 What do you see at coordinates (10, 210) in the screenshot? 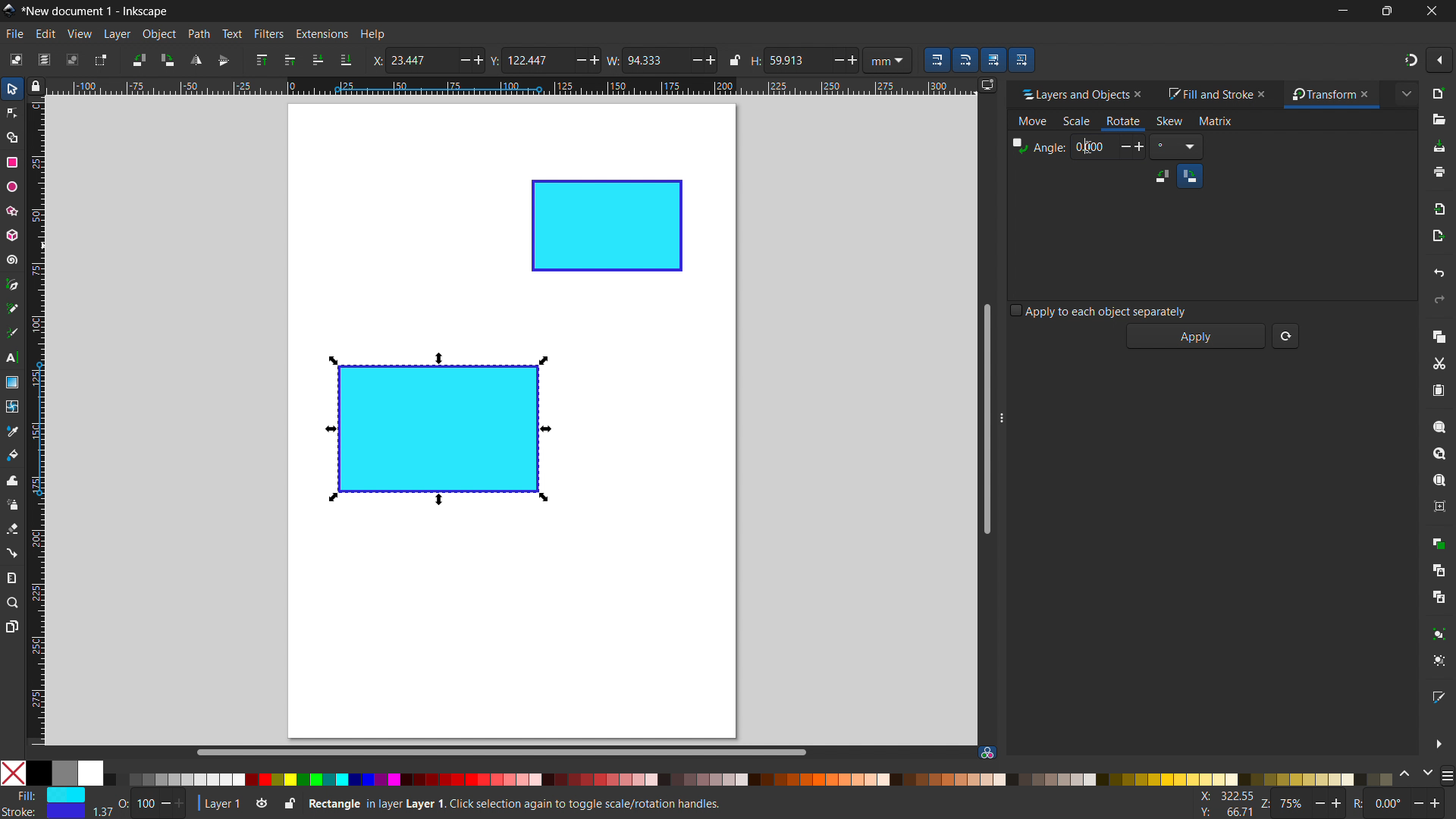
I see `star/polygon tool` at bounding box center [10, 210].